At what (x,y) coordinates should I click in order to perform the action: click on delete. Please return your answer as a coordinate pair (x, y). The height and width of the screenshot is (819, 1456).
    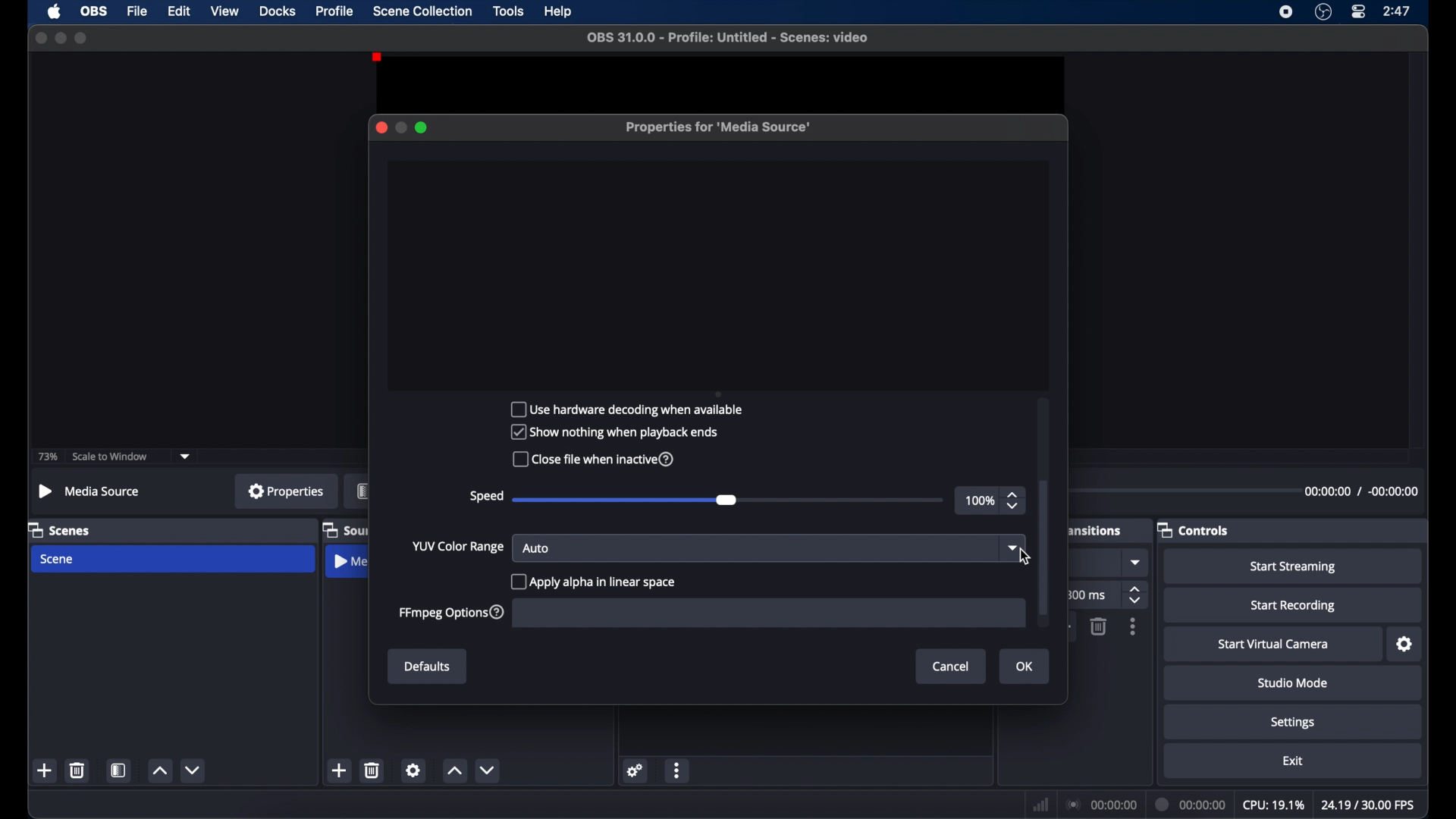
    Looking at the image, I should click on (1098, 626).